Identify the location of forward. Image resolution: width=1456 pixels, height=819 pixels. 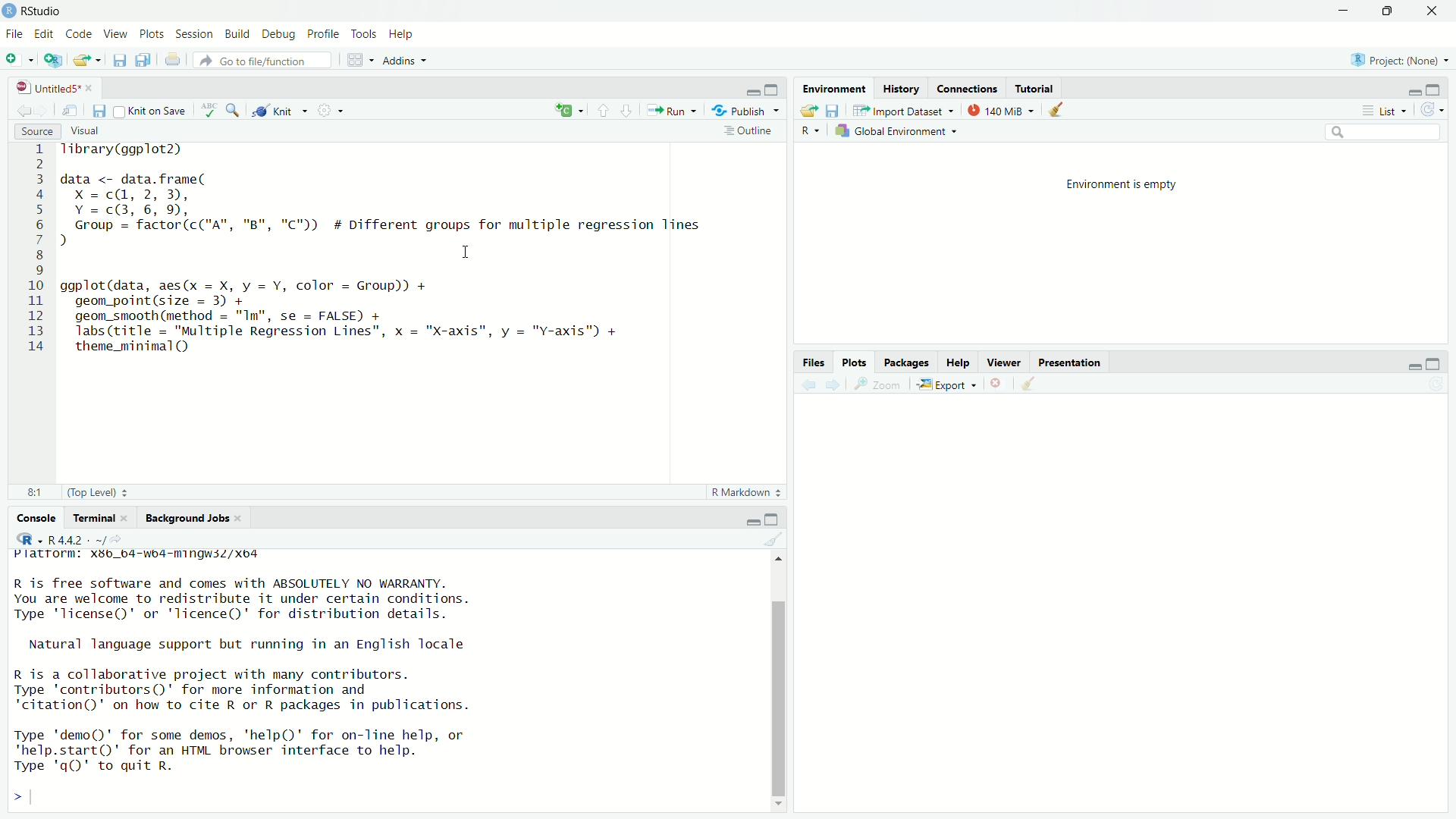
(836, 384).